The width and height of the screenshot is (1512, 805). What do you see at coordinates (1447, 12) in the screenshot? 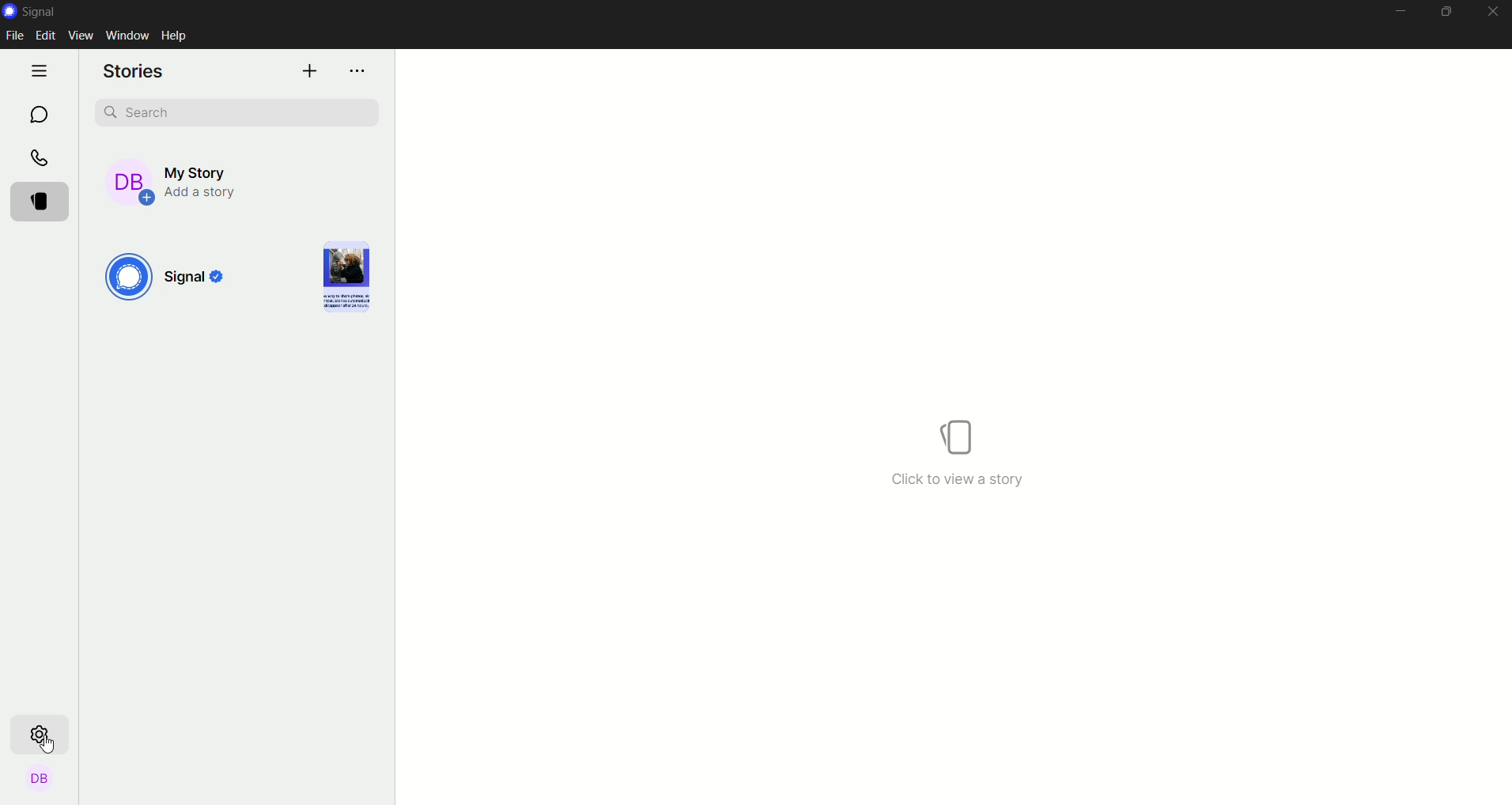
I see `minimize maximize` at bounding box center [1447, 12].